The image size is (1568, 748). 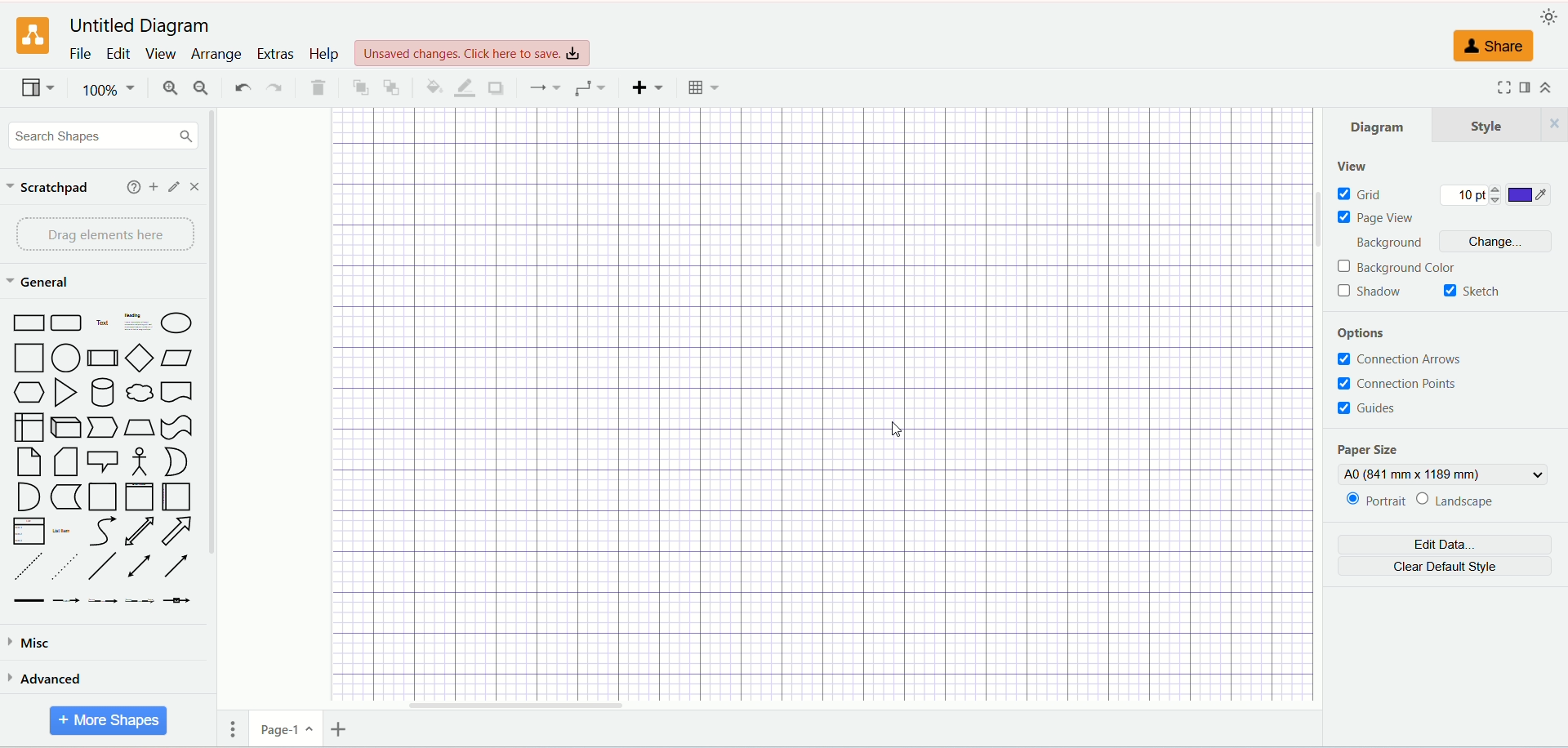 I want to click on Card, so click(x=67, y=464).